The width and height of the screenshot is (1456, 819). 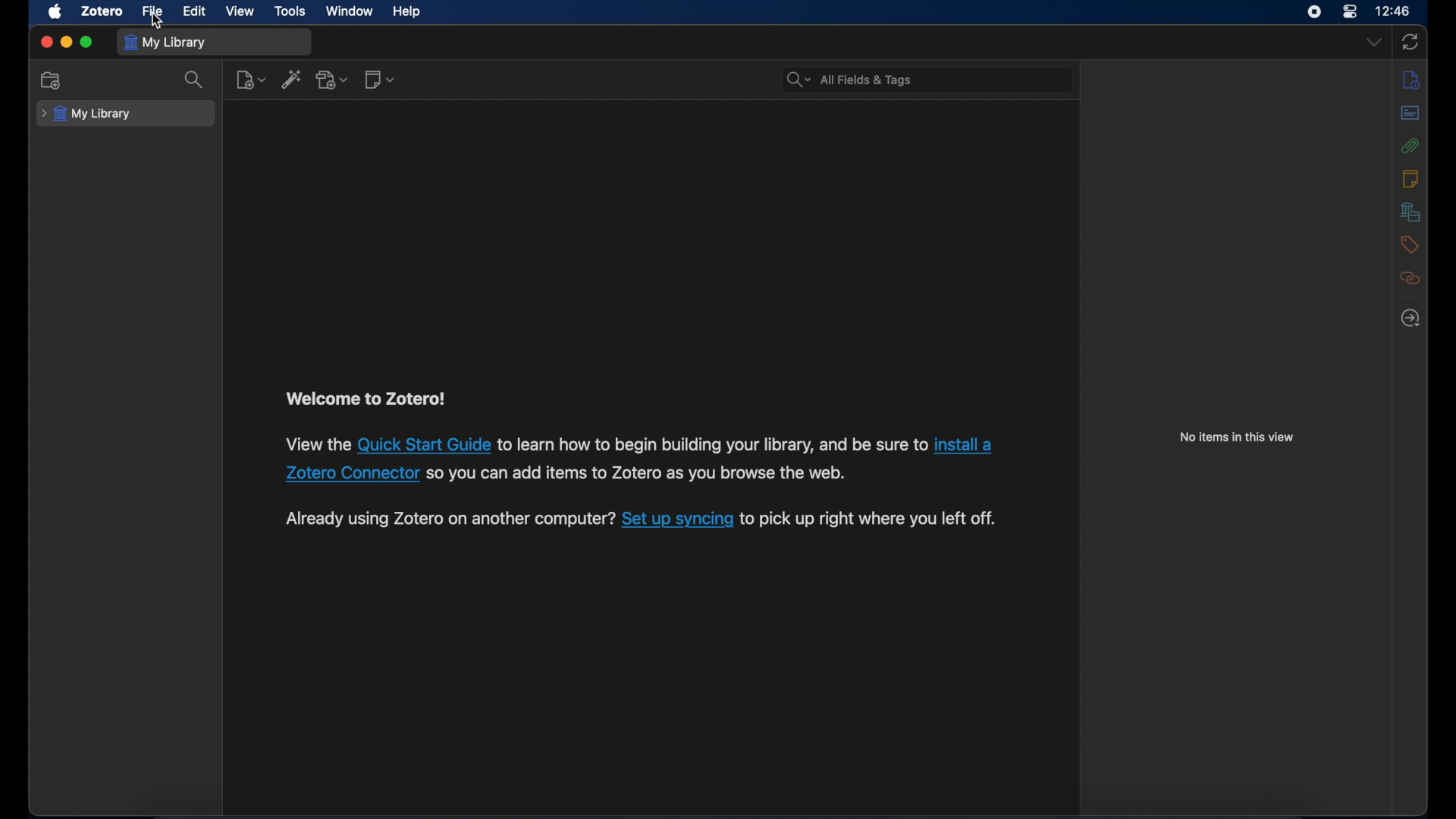 I want to click on add attachment, so click(x=334, y=80).